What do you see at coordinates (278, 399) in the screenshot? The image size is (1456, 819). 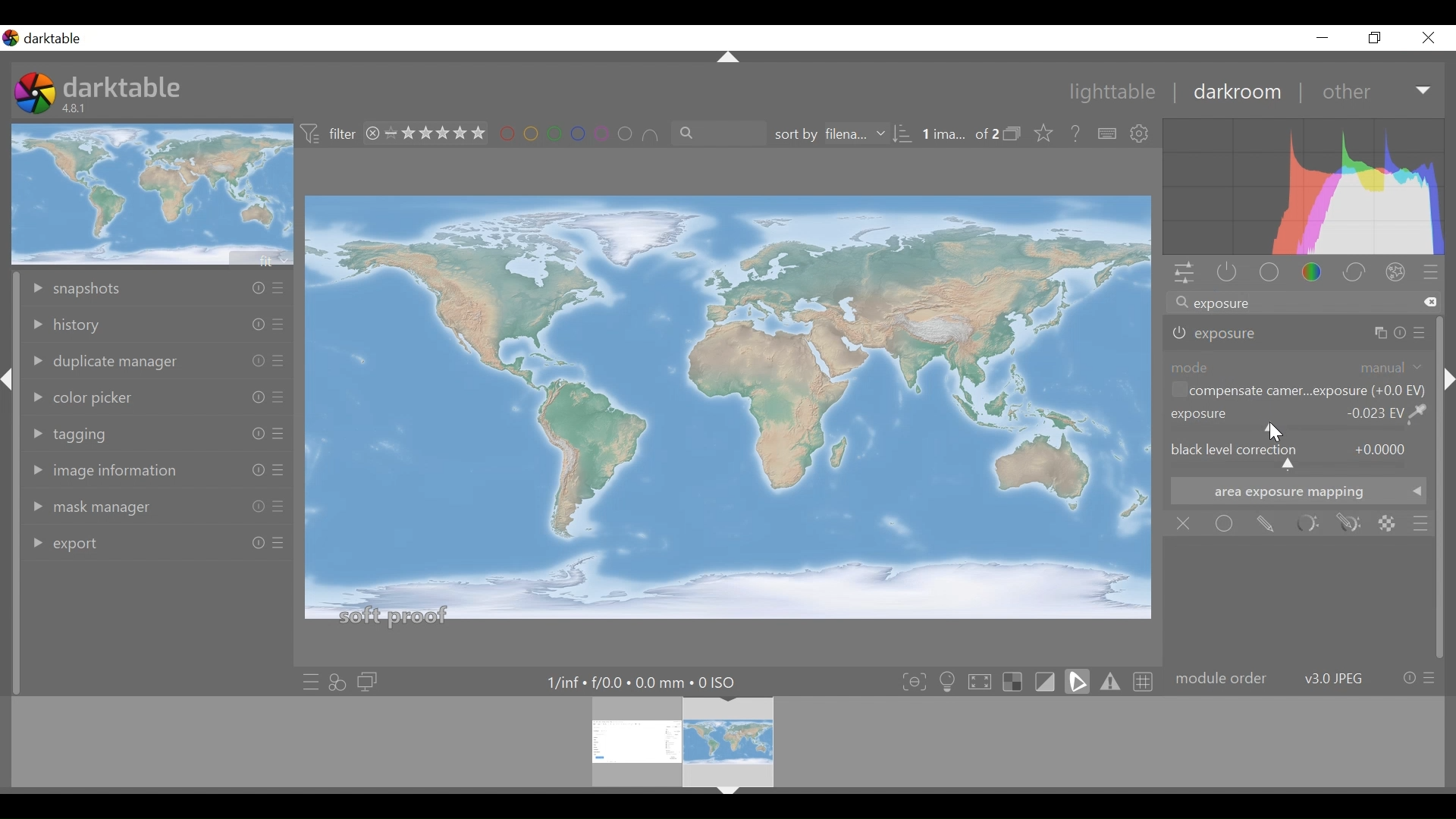 I see `` at bounding box center [278, 399].